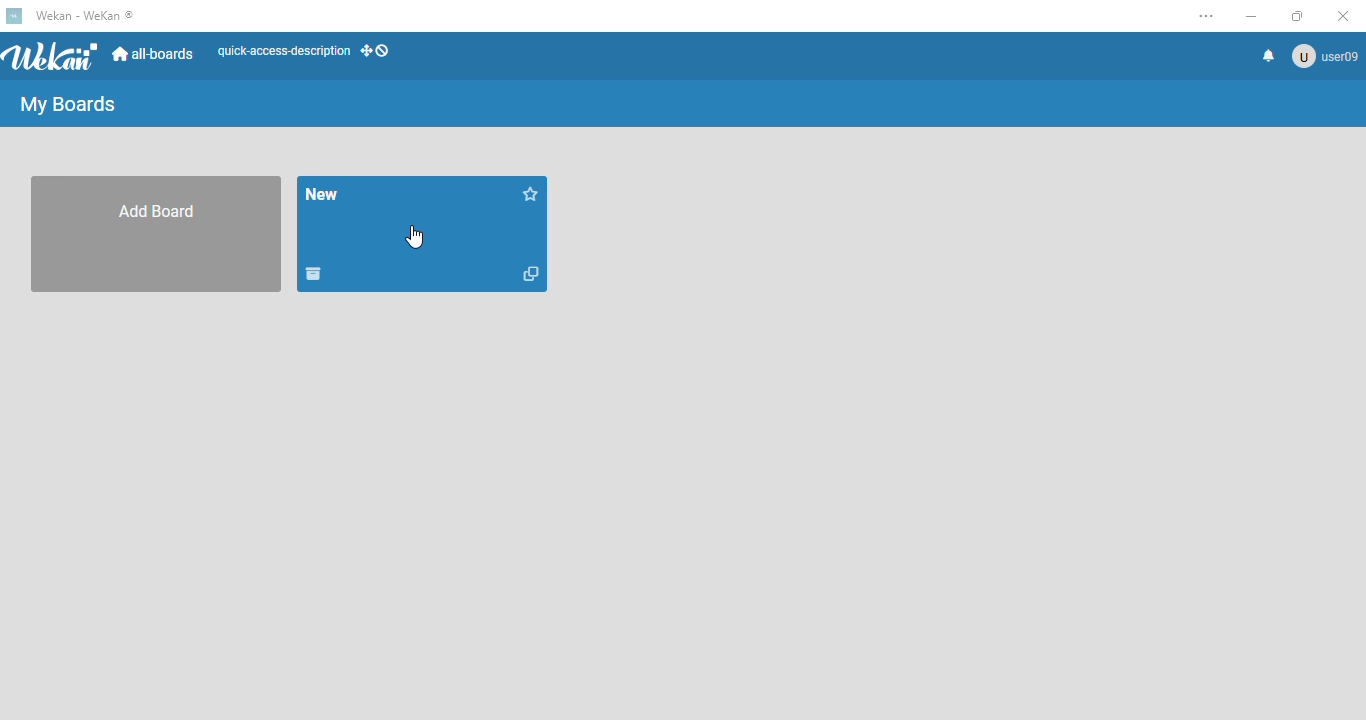 Image resolution: width=1366 pixels, height=720 pixels. I want to click on logo, so click(15, 16).